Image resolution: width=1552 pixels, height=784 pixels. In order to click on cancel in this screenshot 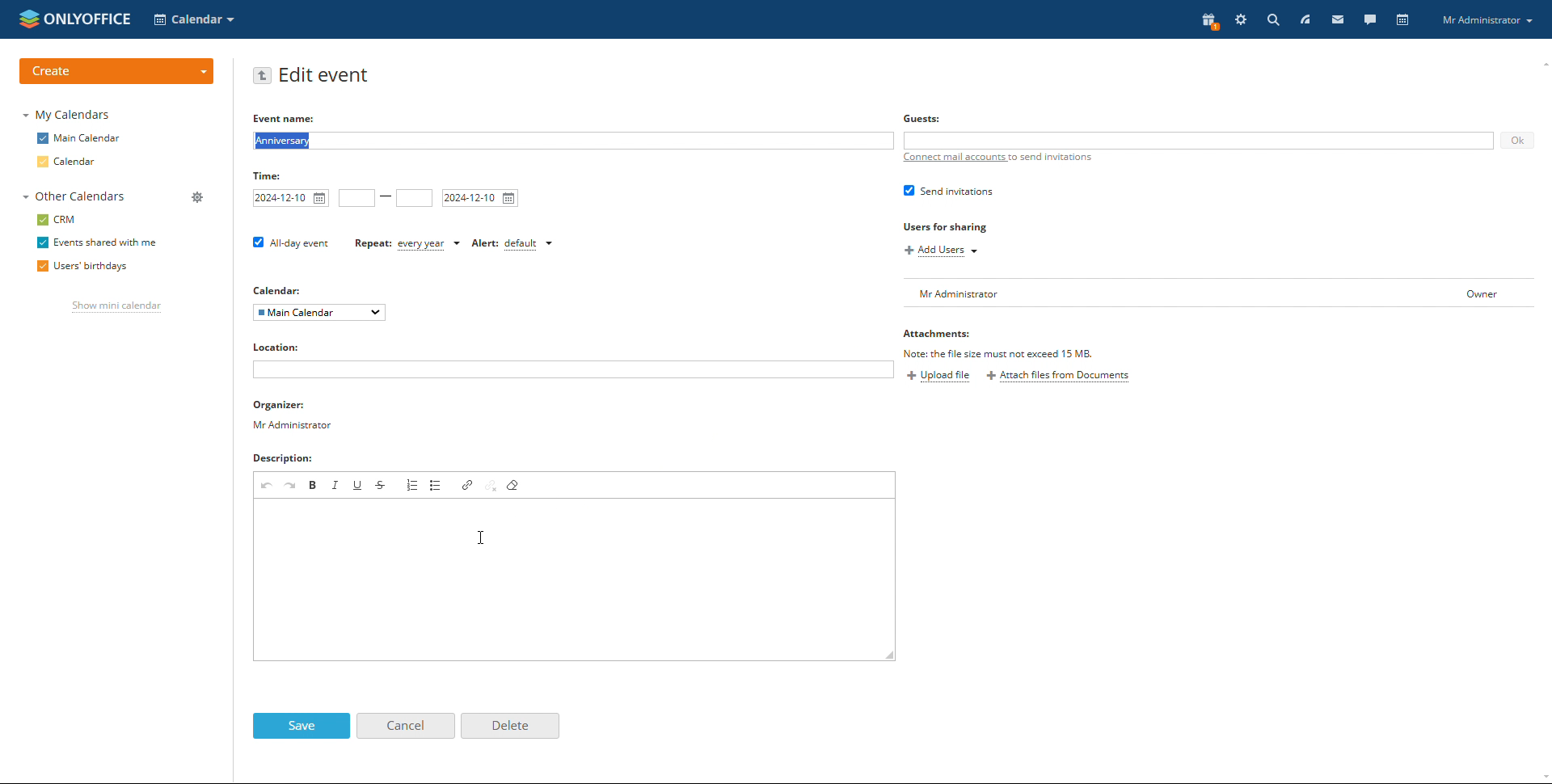, I will do `click(406, 726)`.